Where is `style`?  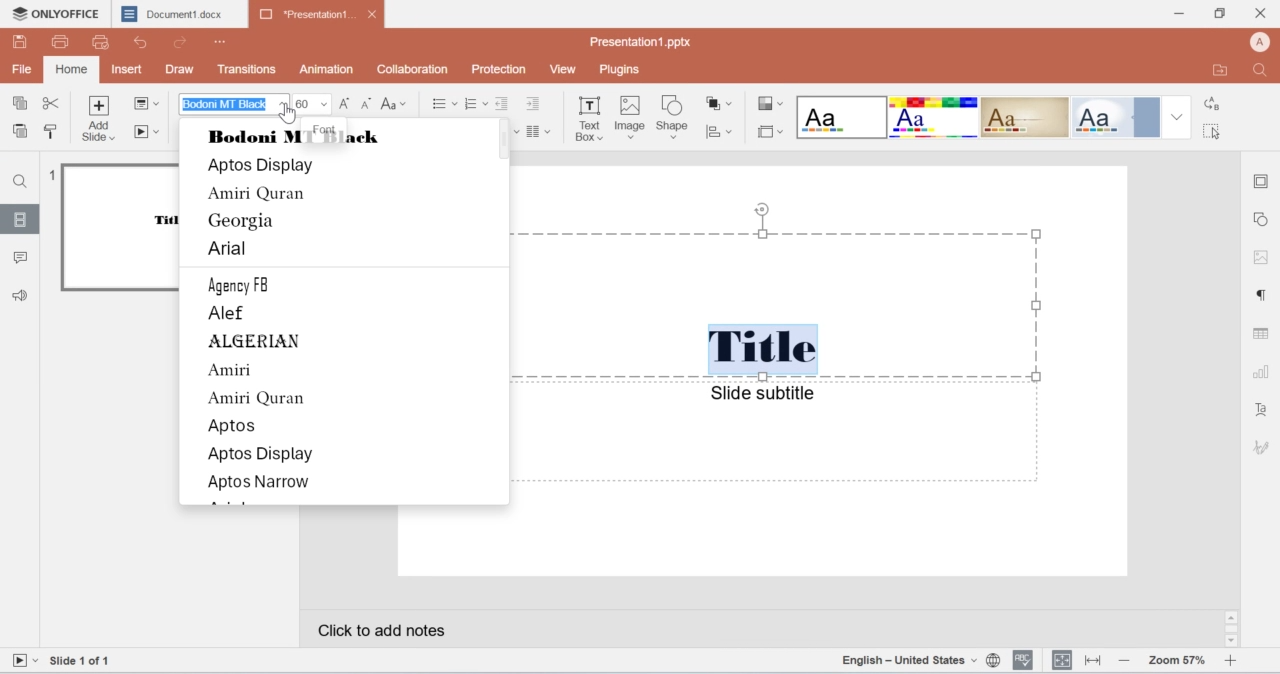
style is located at coordinates (770, 105).